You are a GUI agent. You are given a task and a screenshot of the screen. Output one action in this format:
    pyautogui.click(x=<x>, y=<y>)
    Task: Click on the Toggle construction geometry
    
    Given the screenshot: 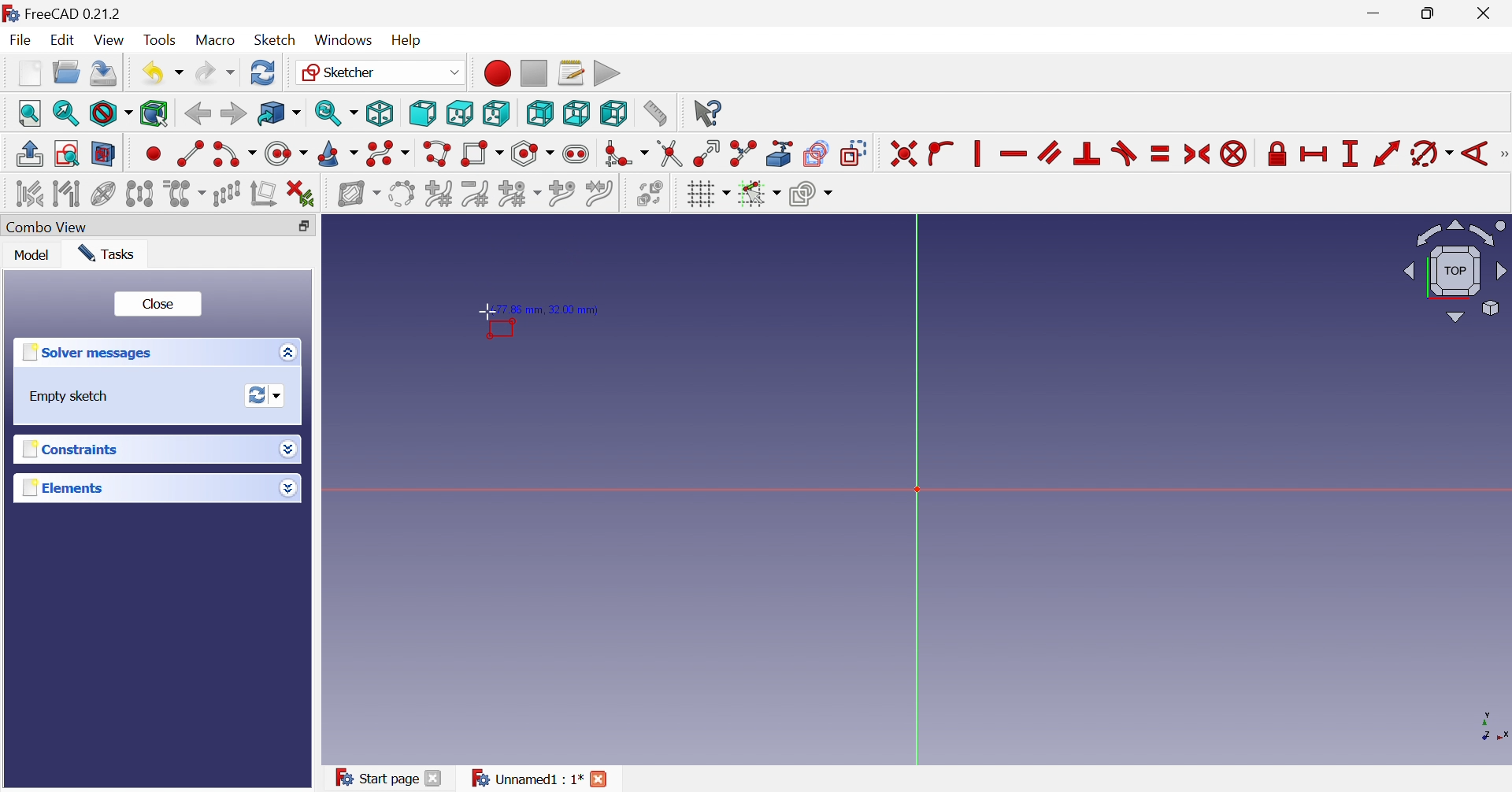 What is the action you would take?
    pyautogui.click(x=854, y=154)
    